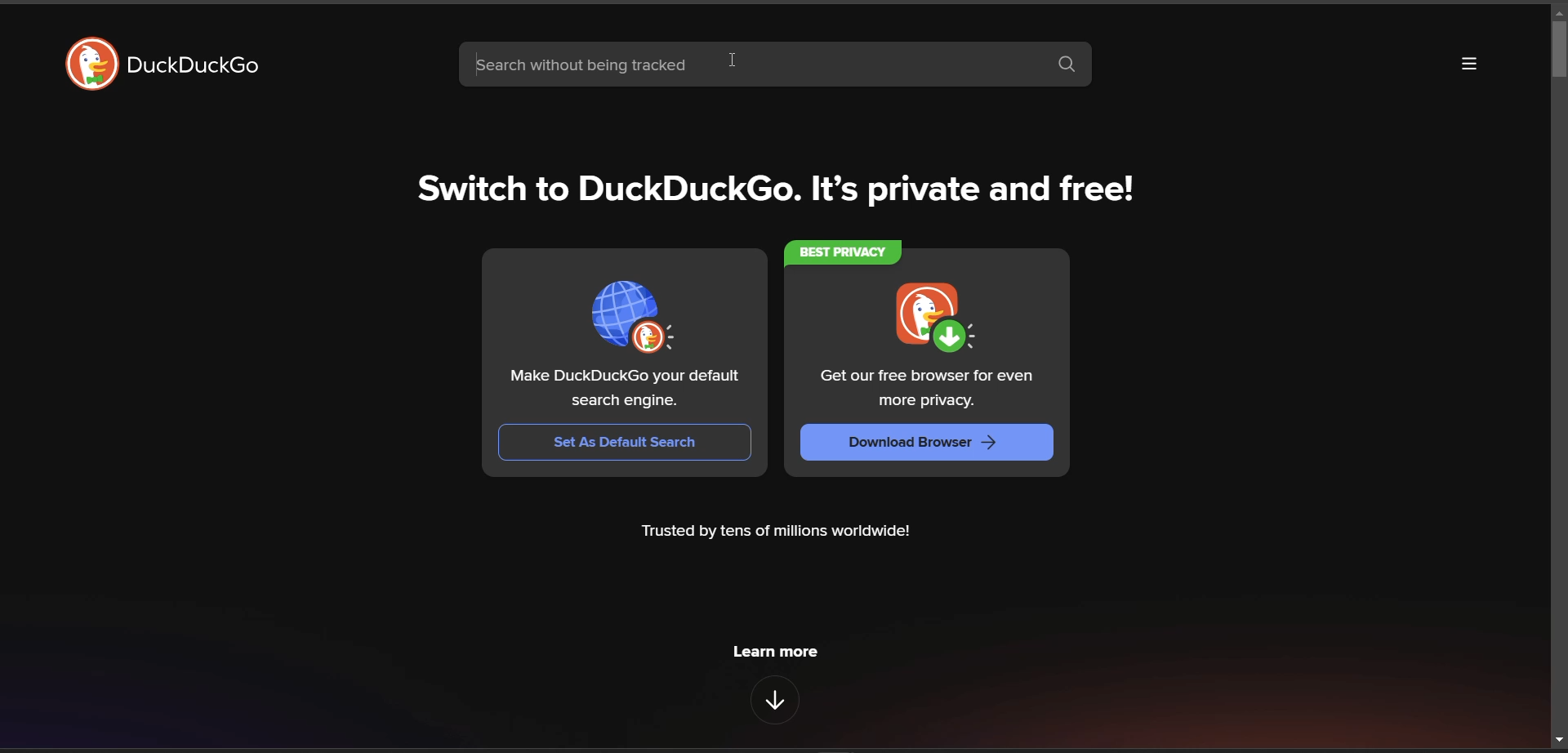  Describe the element at coordinates (1554, 51) in the screenshot. I see `vertical scroll bar` at that location.